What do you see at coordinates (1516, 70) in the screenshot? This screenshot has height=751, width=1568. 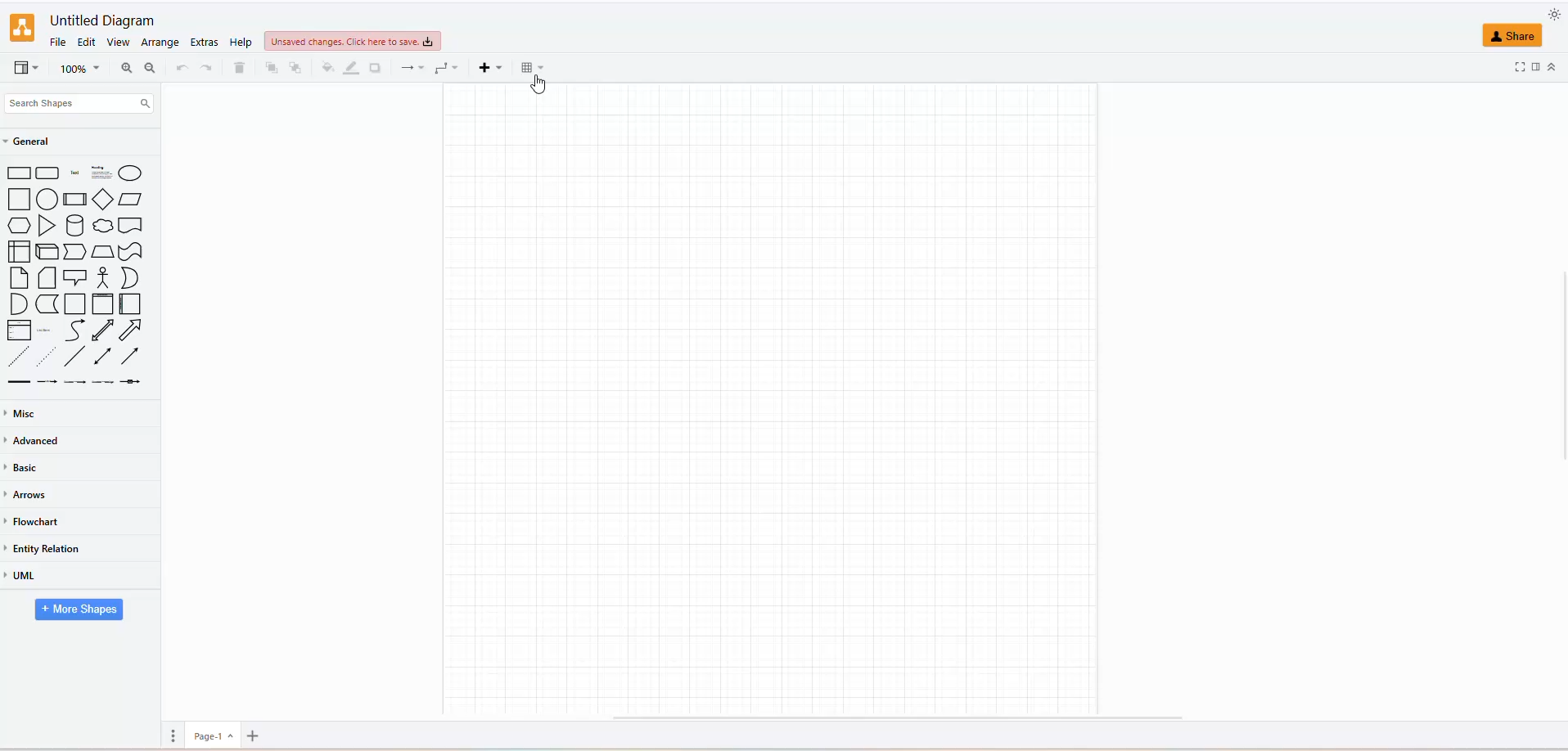 I see `fullscreen` at bounding box center [1516, 70].